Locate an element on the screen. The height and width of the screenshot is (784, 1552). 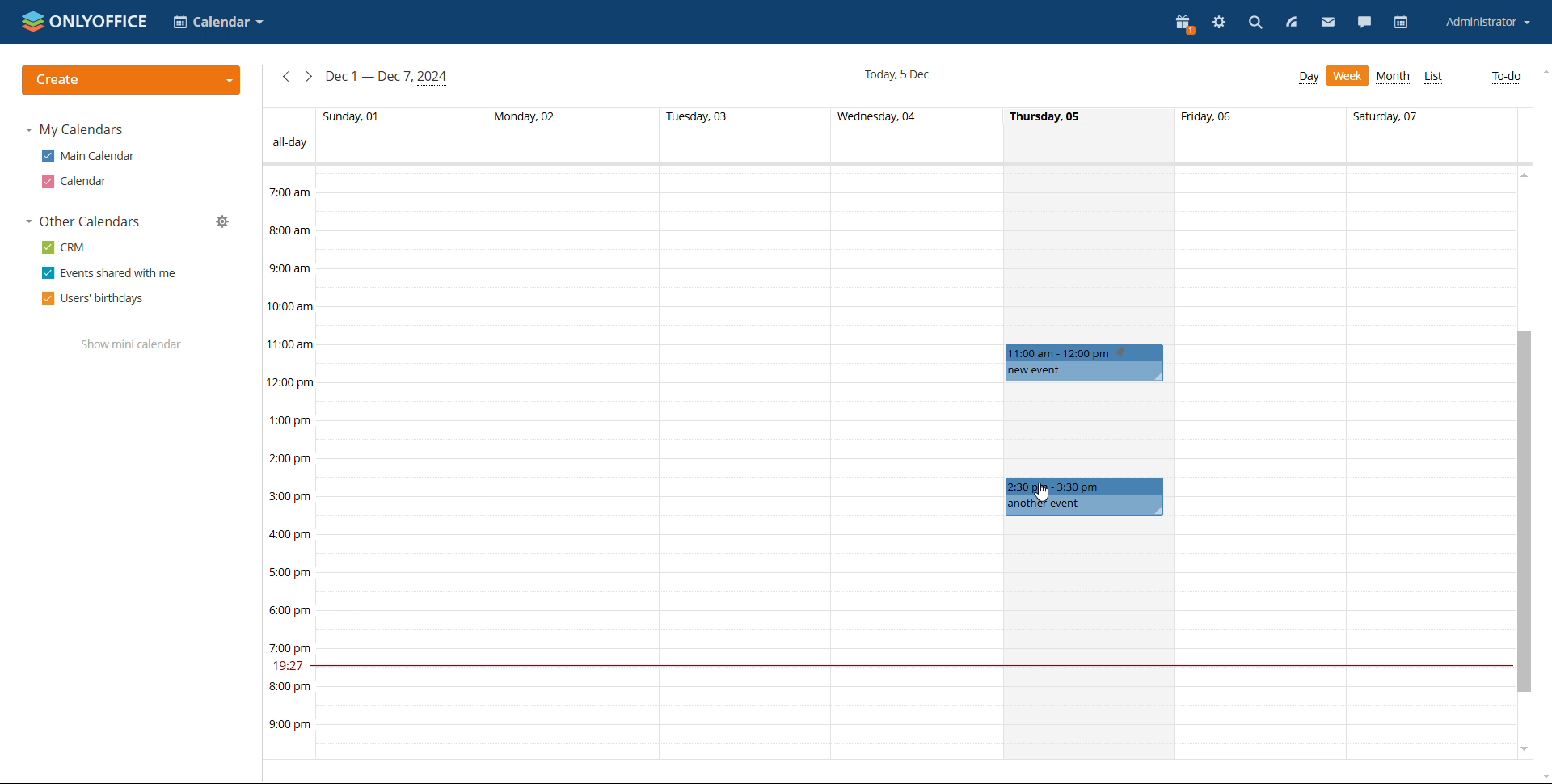
search is located at coordinates (1255, 23).